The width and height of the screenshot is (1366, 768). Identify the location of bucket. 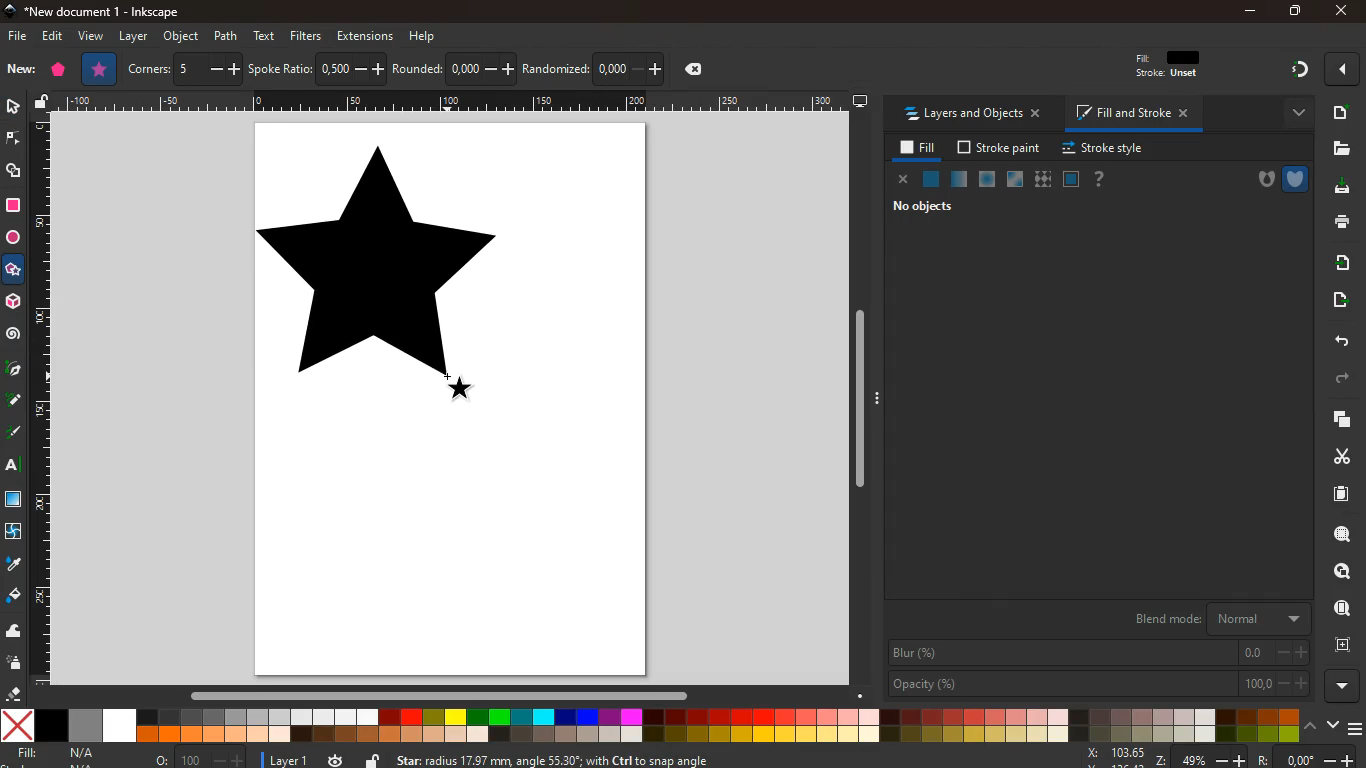
(13, 596).